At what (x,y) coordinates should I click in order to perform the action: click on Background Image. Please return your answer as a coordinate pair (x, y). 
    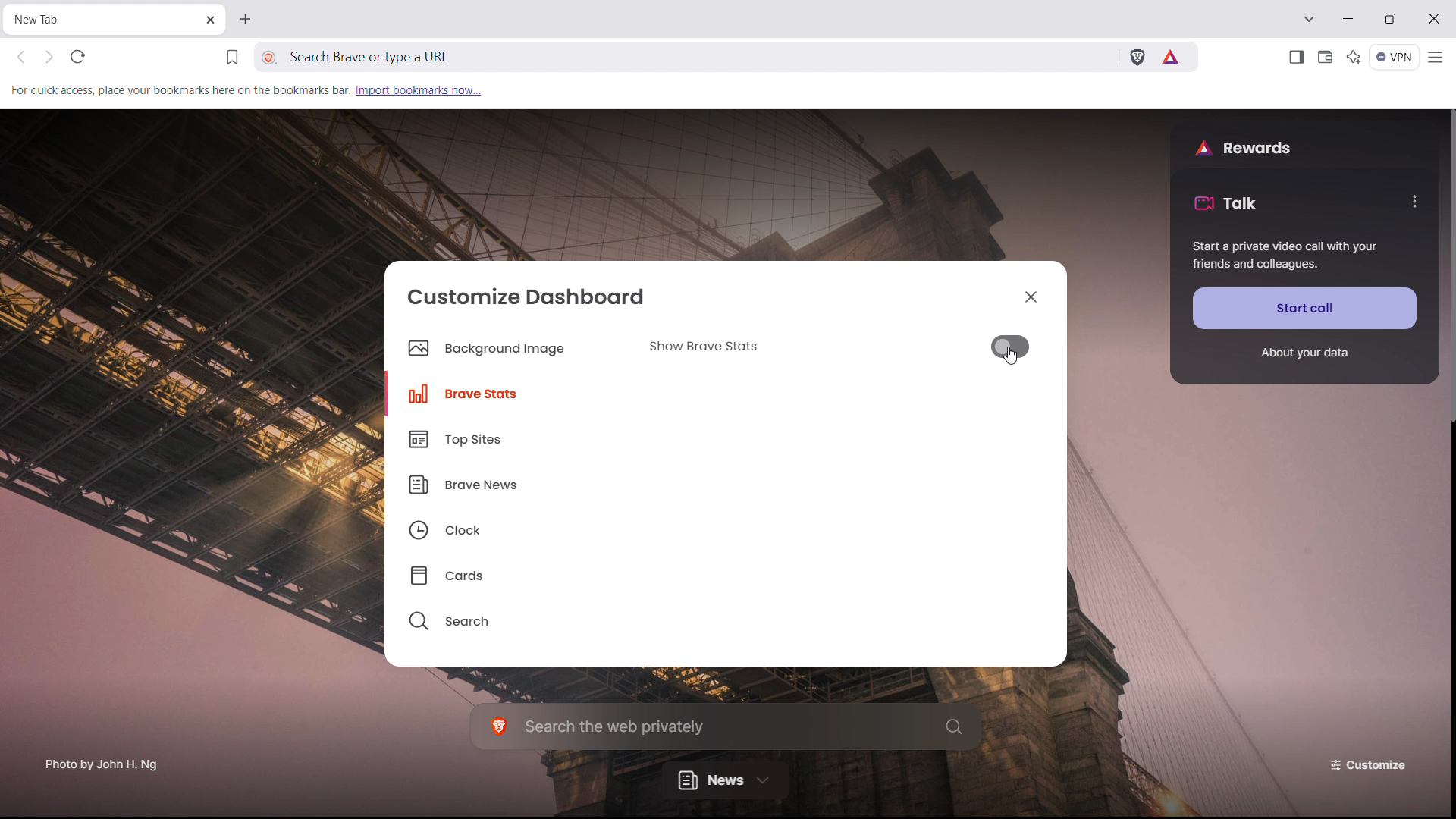
    Looking at the image, I should click on (497, 350).